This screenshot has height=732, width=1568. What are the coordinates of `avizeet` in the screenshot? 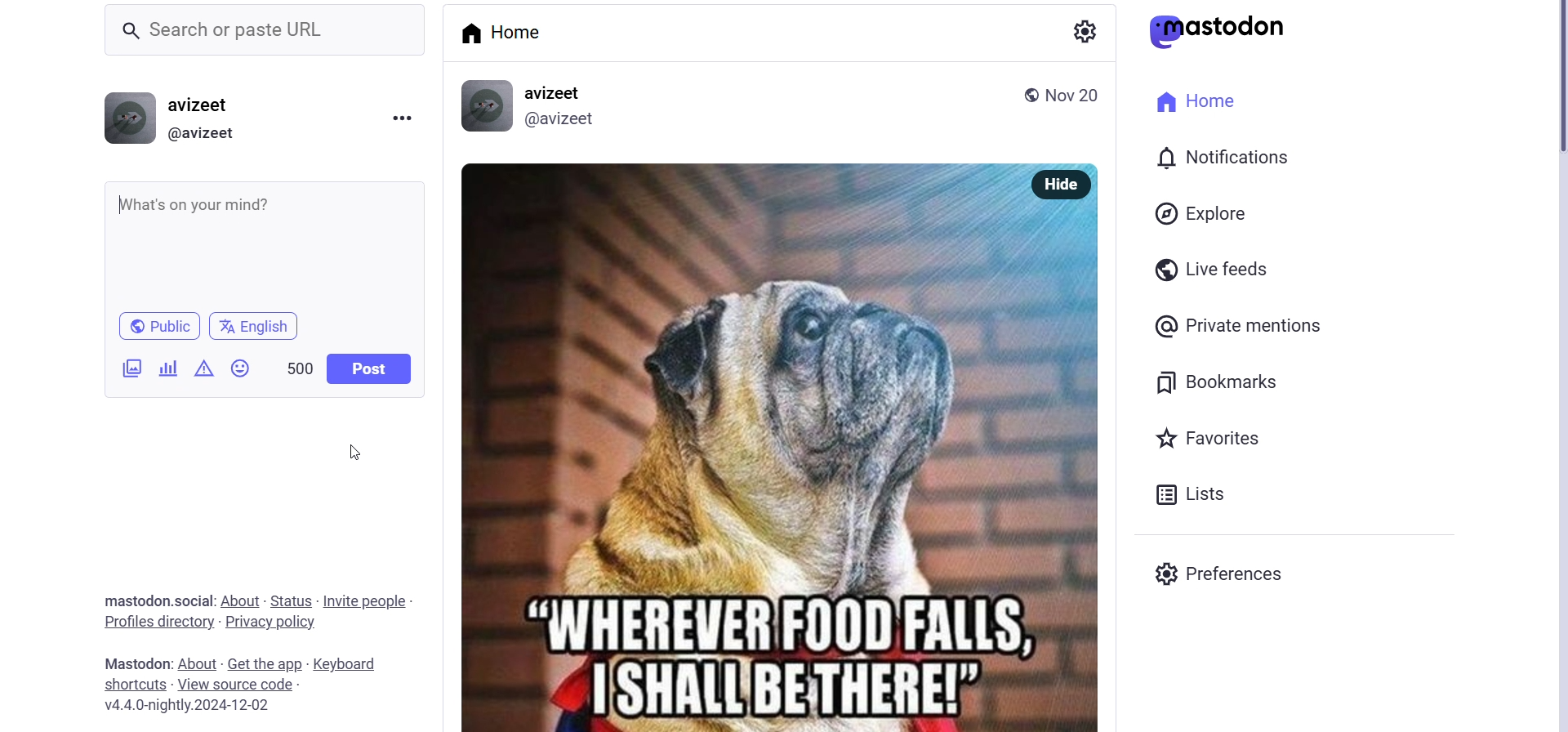 It's located at (554, 94).